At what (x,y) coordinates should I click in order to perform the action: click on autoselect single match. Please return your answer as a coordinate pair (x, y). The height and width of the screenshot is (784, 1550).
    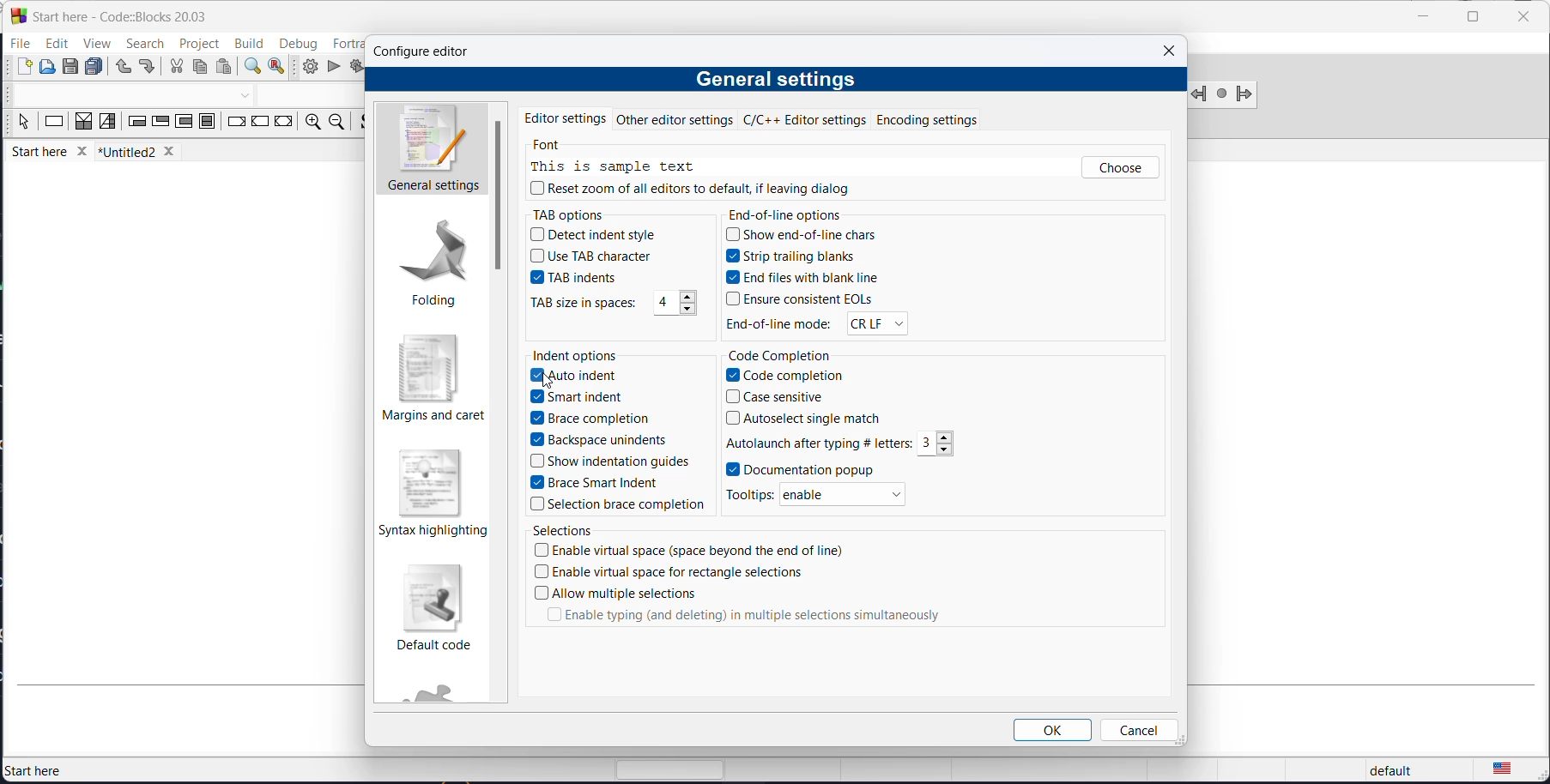
    Looking at the image, I should click on (813, 416).